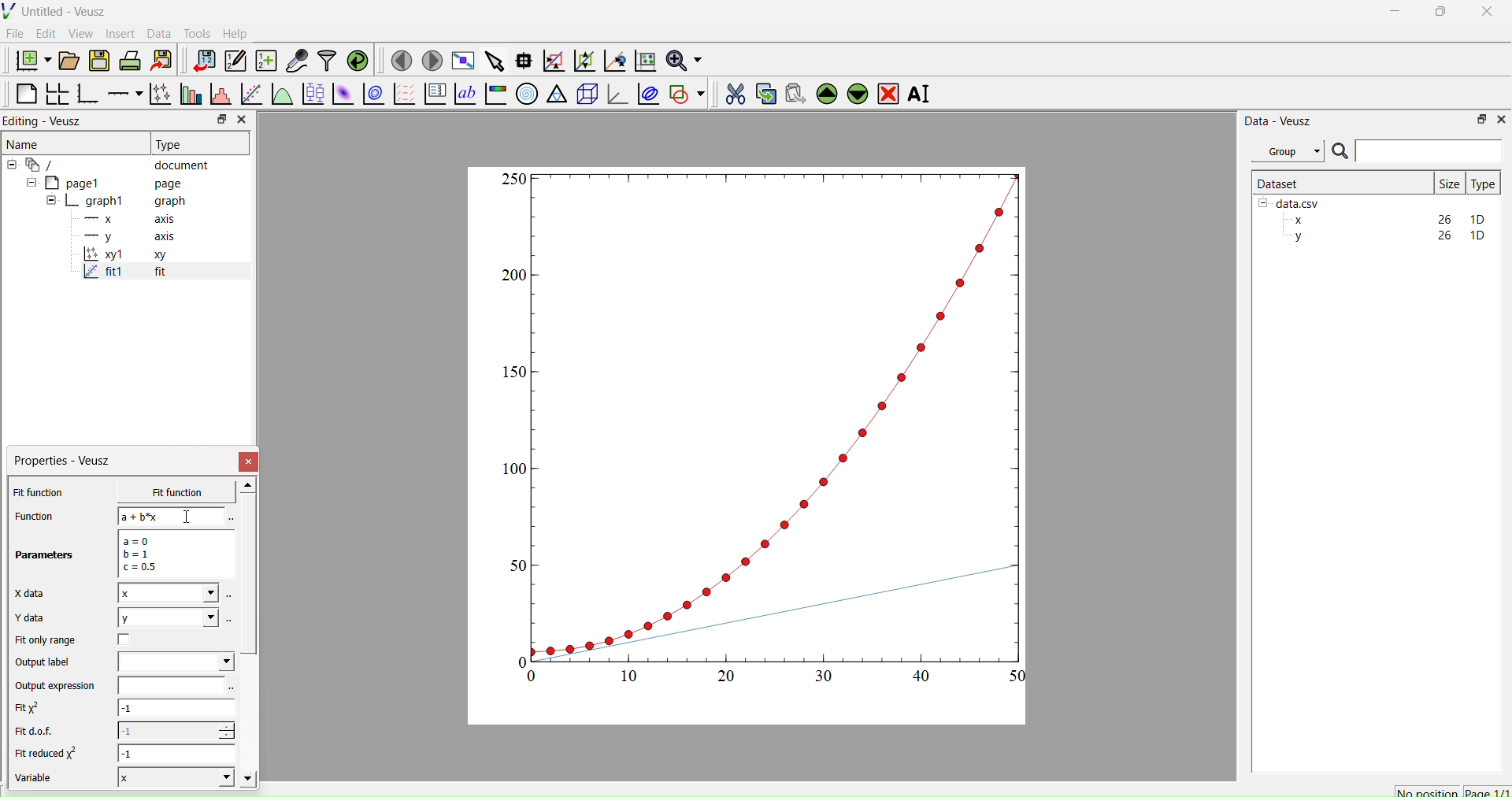  Describe the element at coordinates (167, 617) in the screenshot. I see `y` at that location.